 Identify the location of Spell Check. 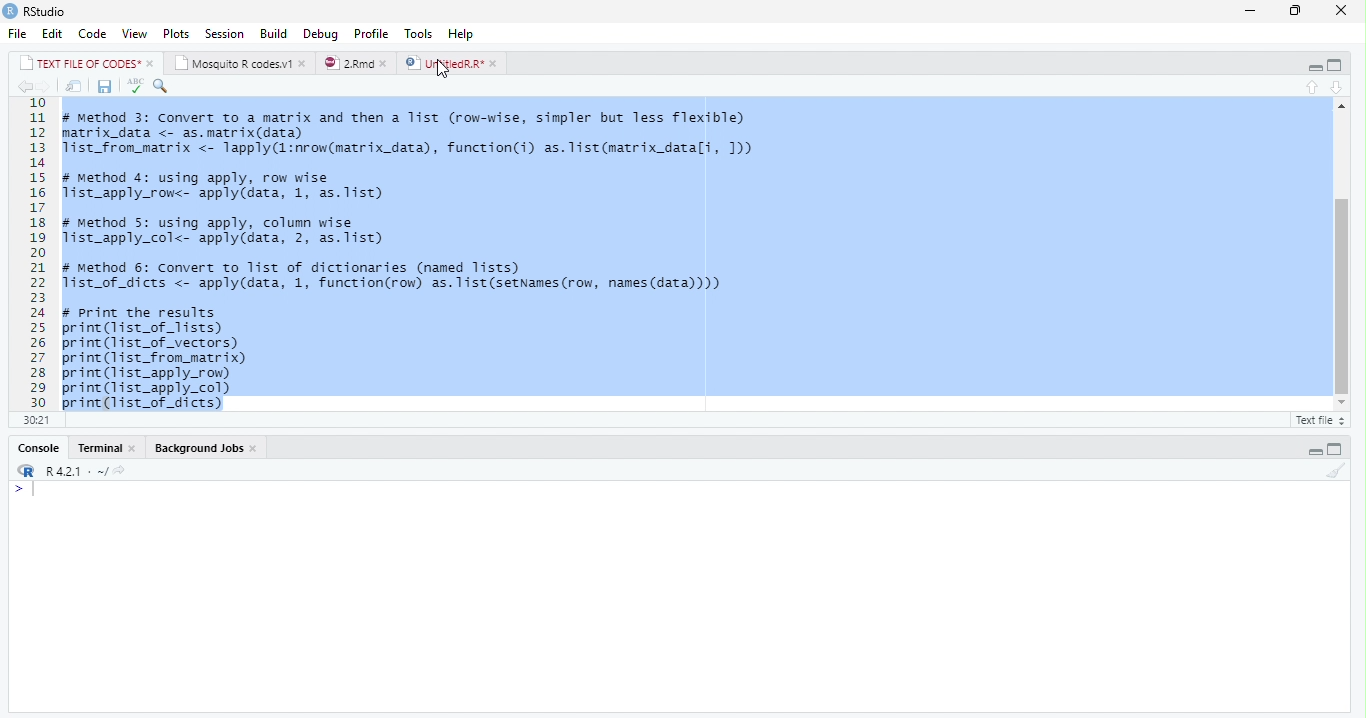
(134, 87).